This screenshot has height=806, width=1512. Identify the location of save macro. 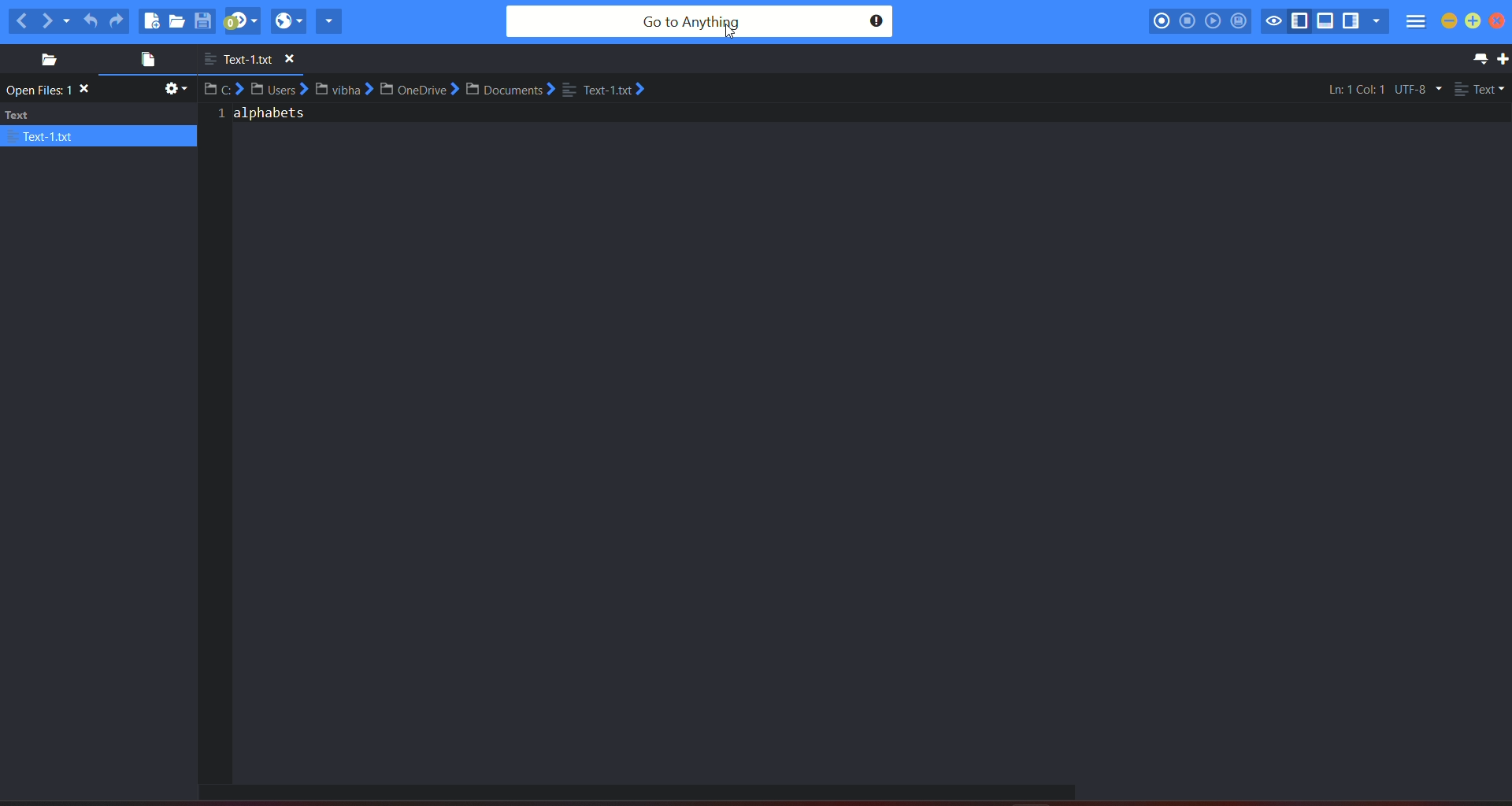
(1239, 22).